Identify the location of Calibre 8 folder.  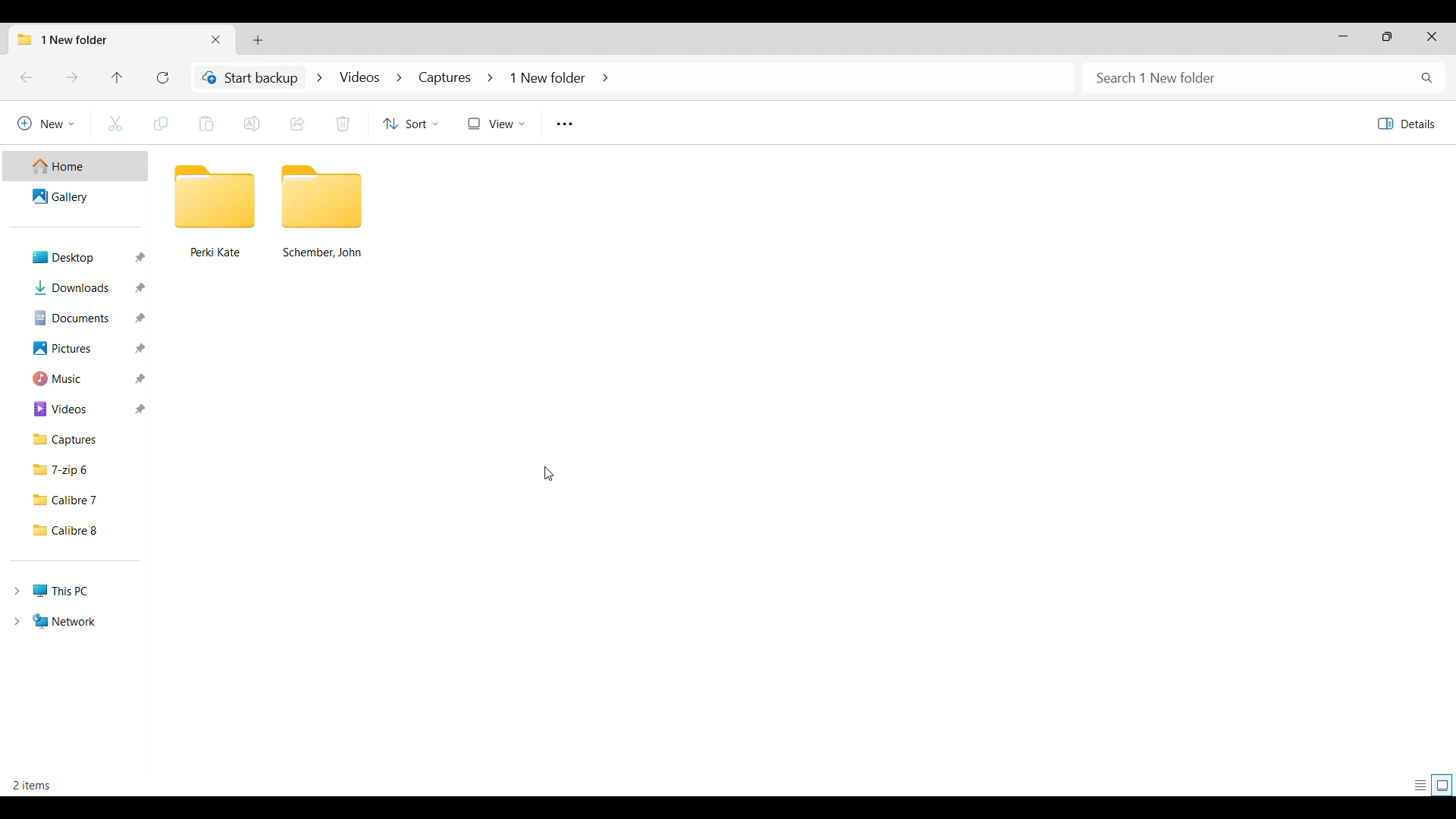
(78, 531).